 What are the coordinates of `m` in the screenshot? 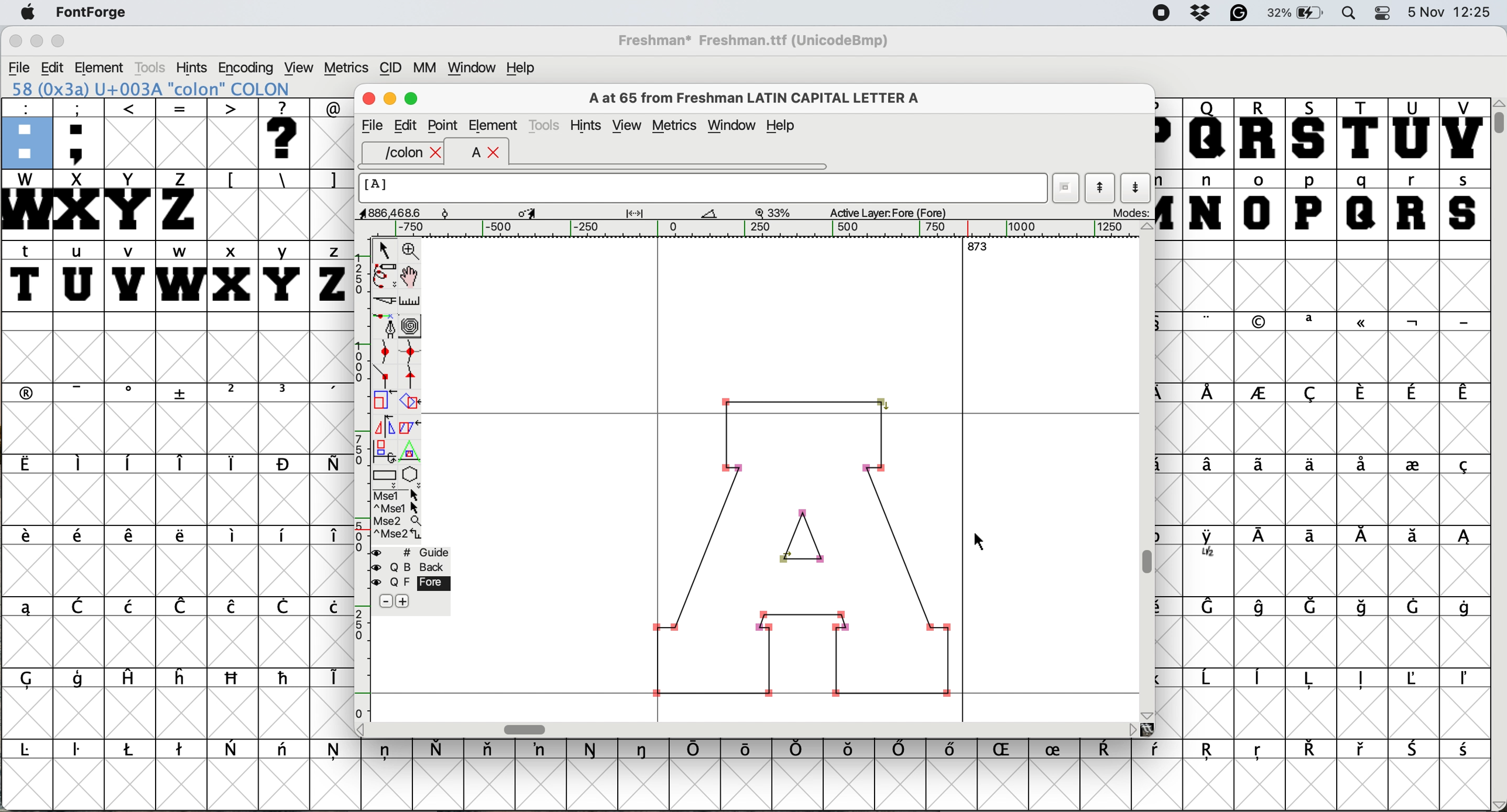 It's located at (1169, 204).